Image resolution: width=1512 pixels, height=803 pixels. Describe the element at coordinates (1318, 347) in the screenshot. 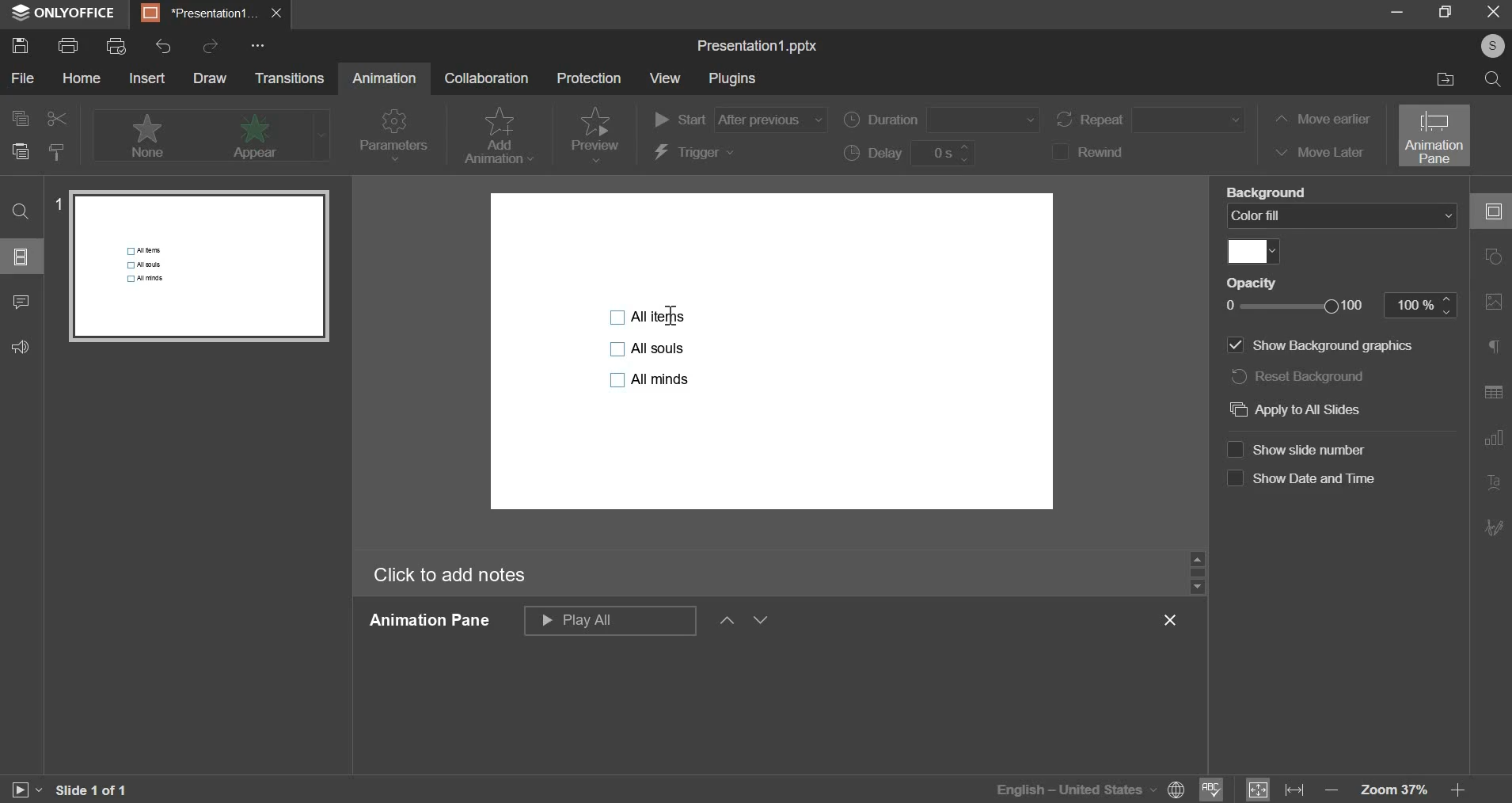

I see `show background graphics` at that location.